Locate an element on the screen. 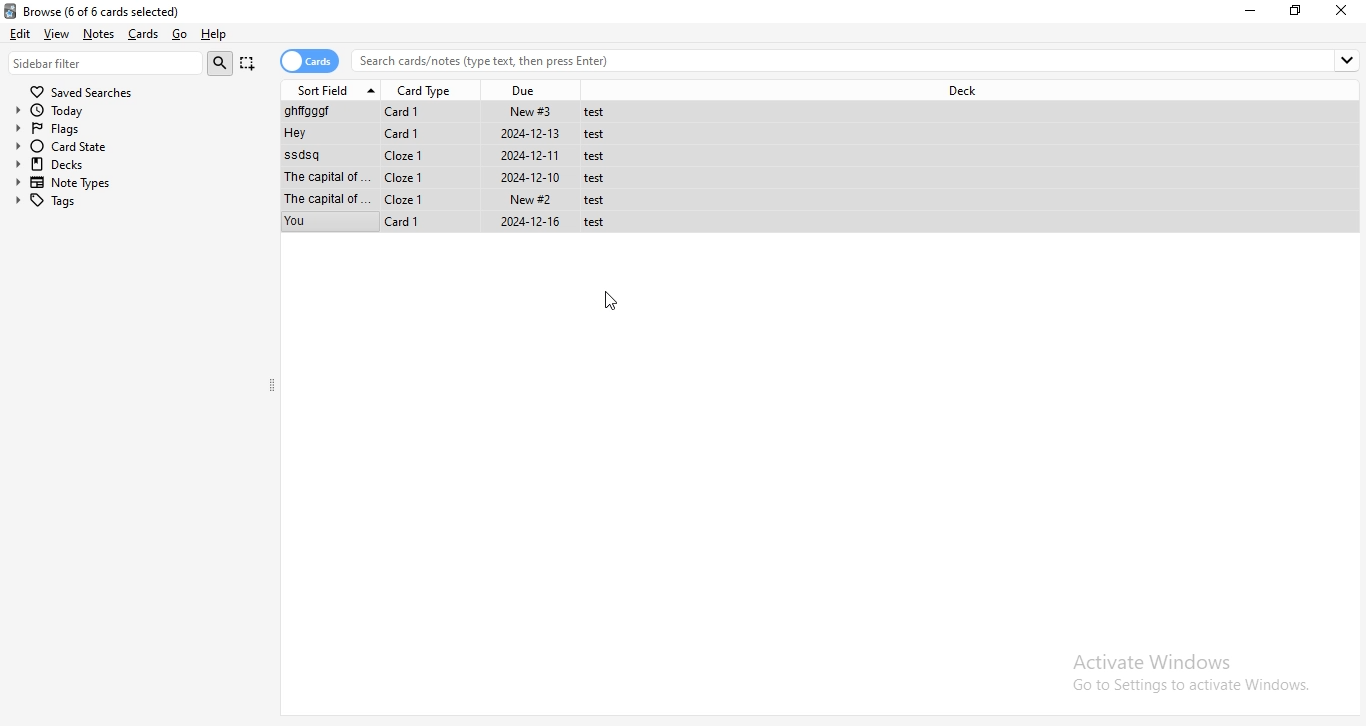 This screenshot has width=1366, height=726. tags is located at coordinates (135, 202).